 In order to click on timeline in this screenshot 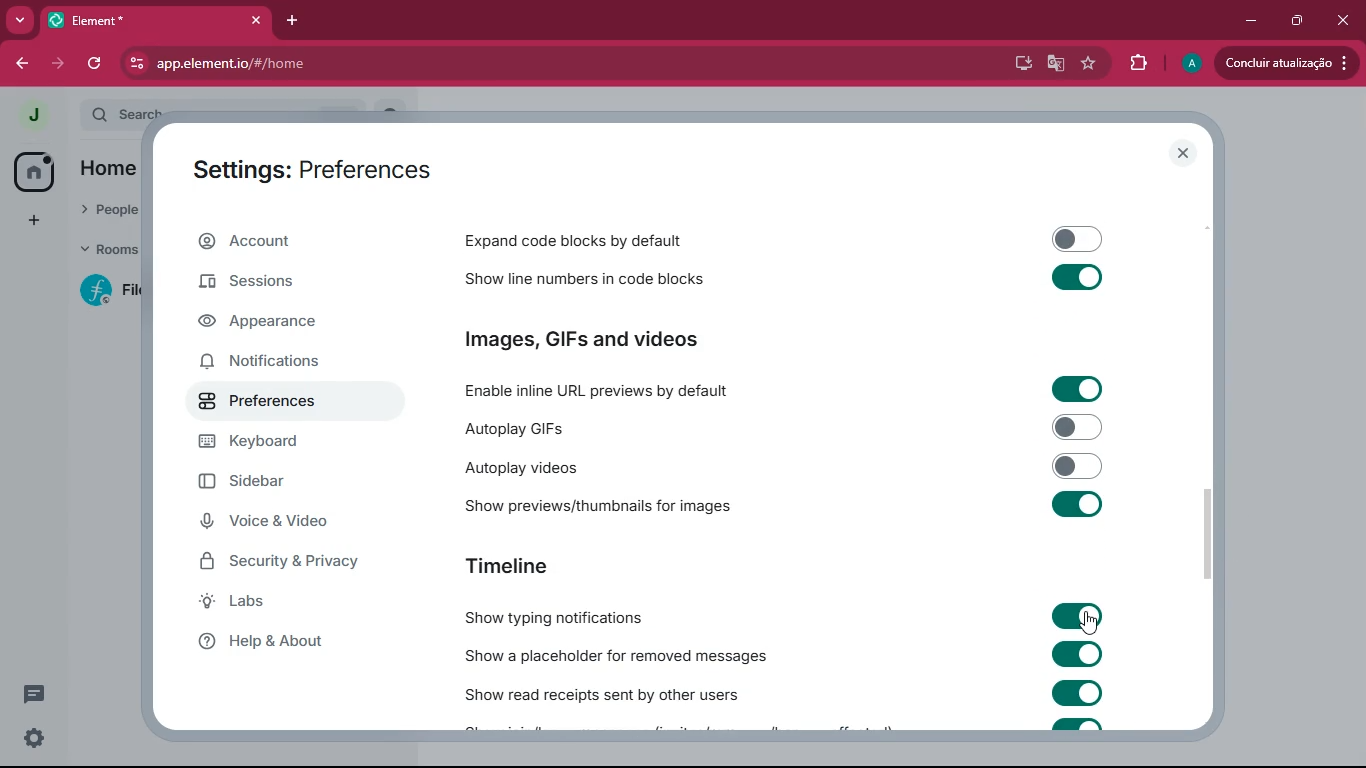, I will do `click(507, 563)`.